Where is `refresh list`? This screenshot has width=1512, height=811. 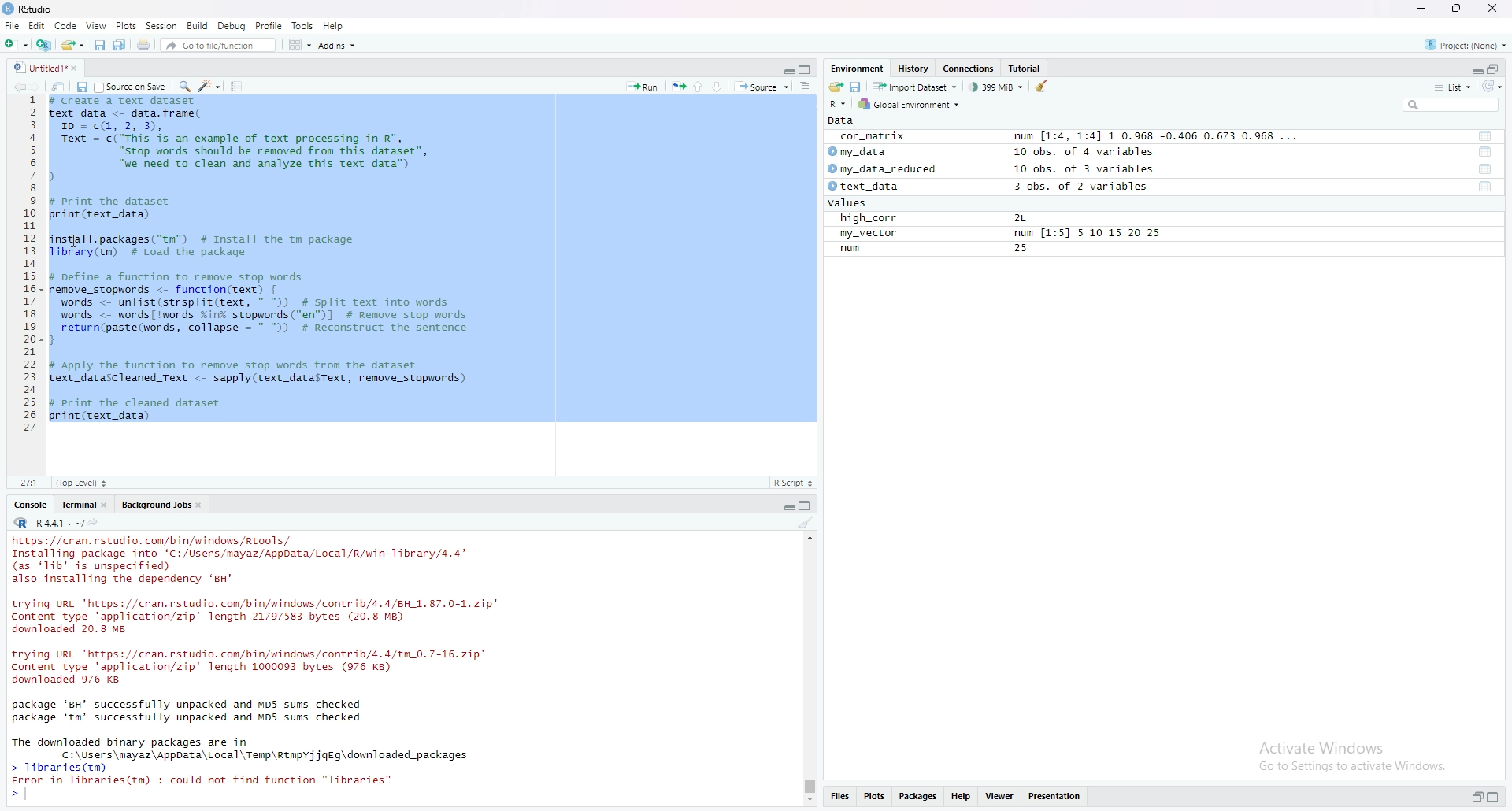
refresh list is located at coordinates (1494, 87).